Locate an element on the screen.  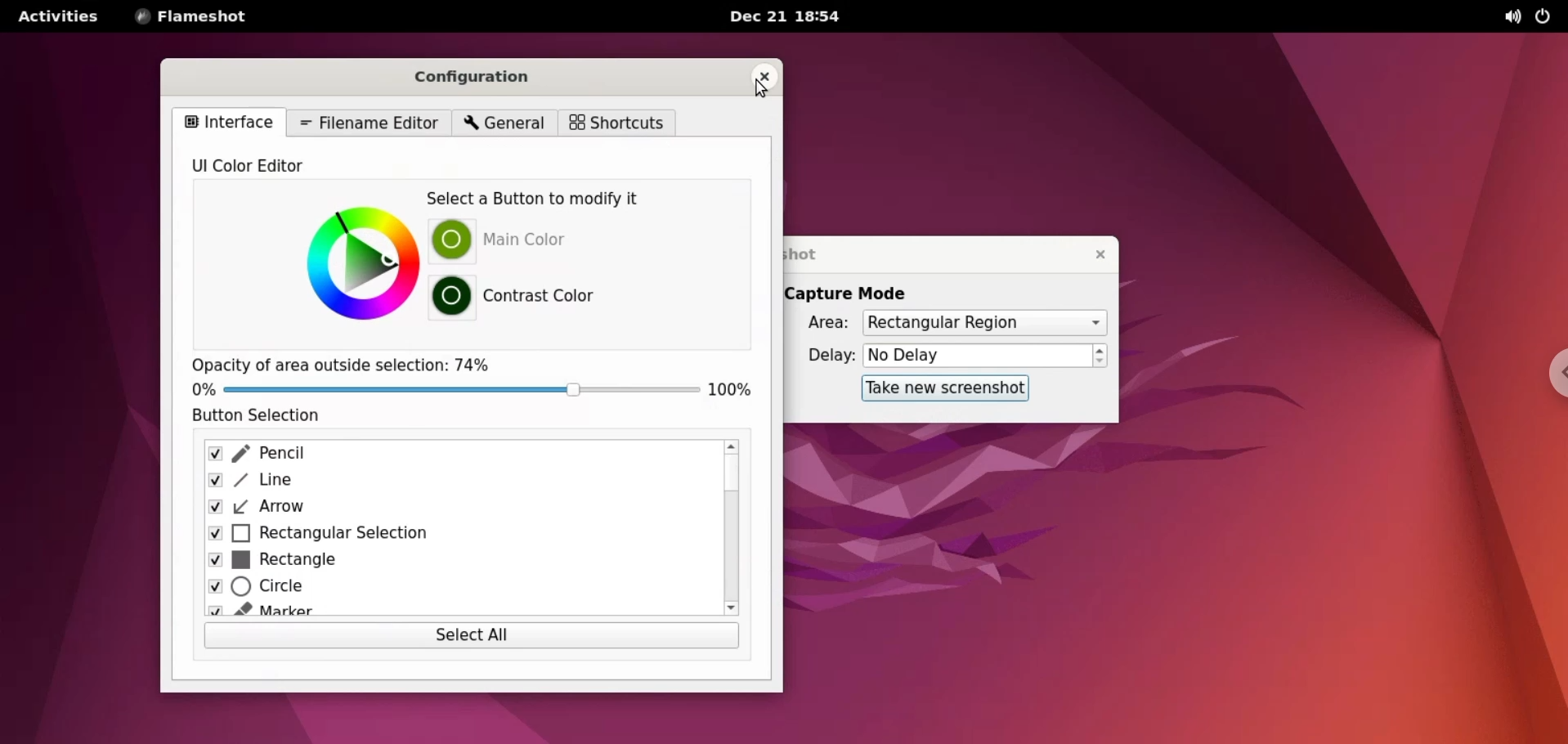
color picker is located at coordinates (352, 260).